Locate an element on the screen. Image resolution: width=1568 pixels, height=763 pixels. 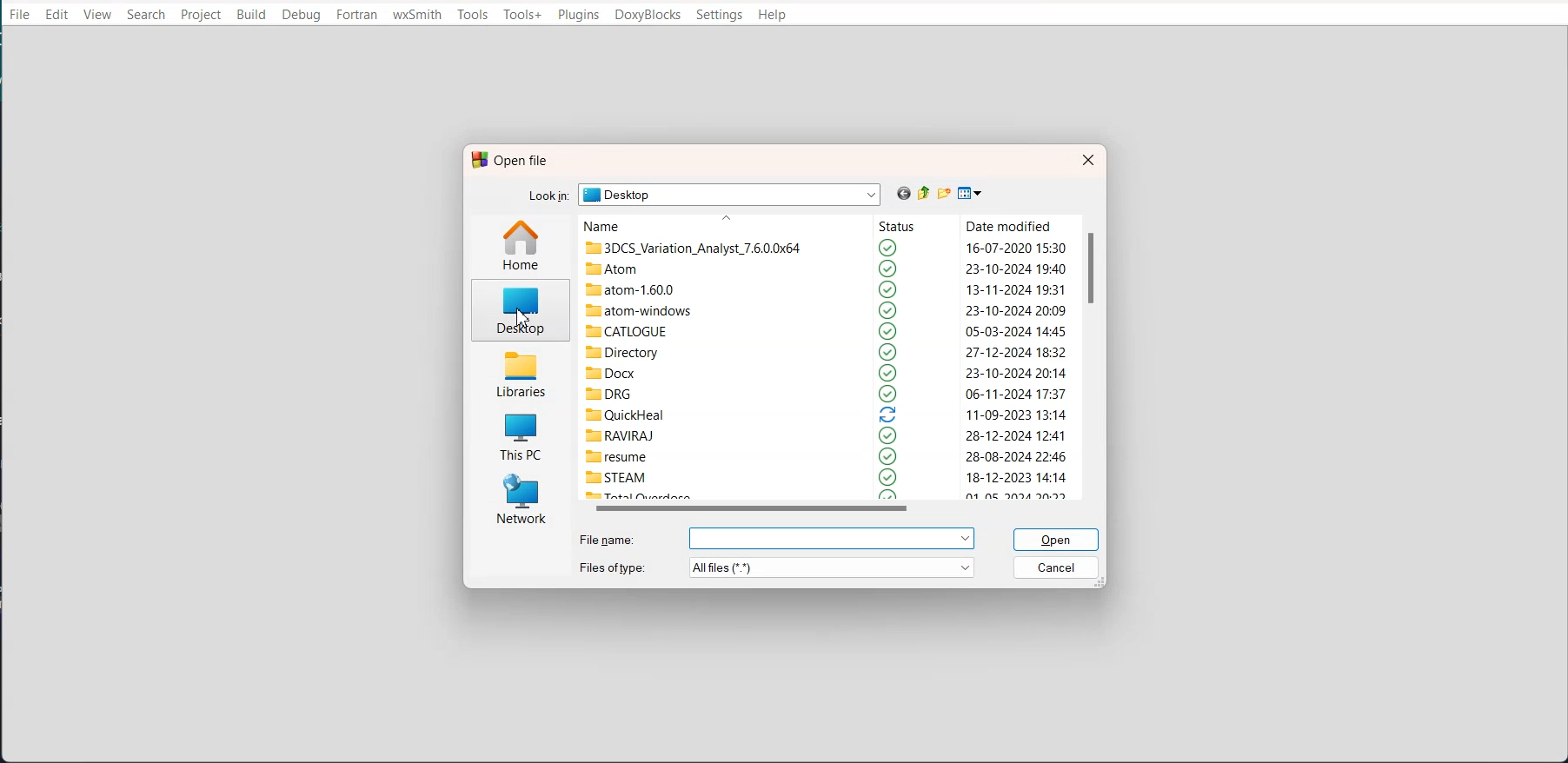
Text is located at coordinates (510, 160).